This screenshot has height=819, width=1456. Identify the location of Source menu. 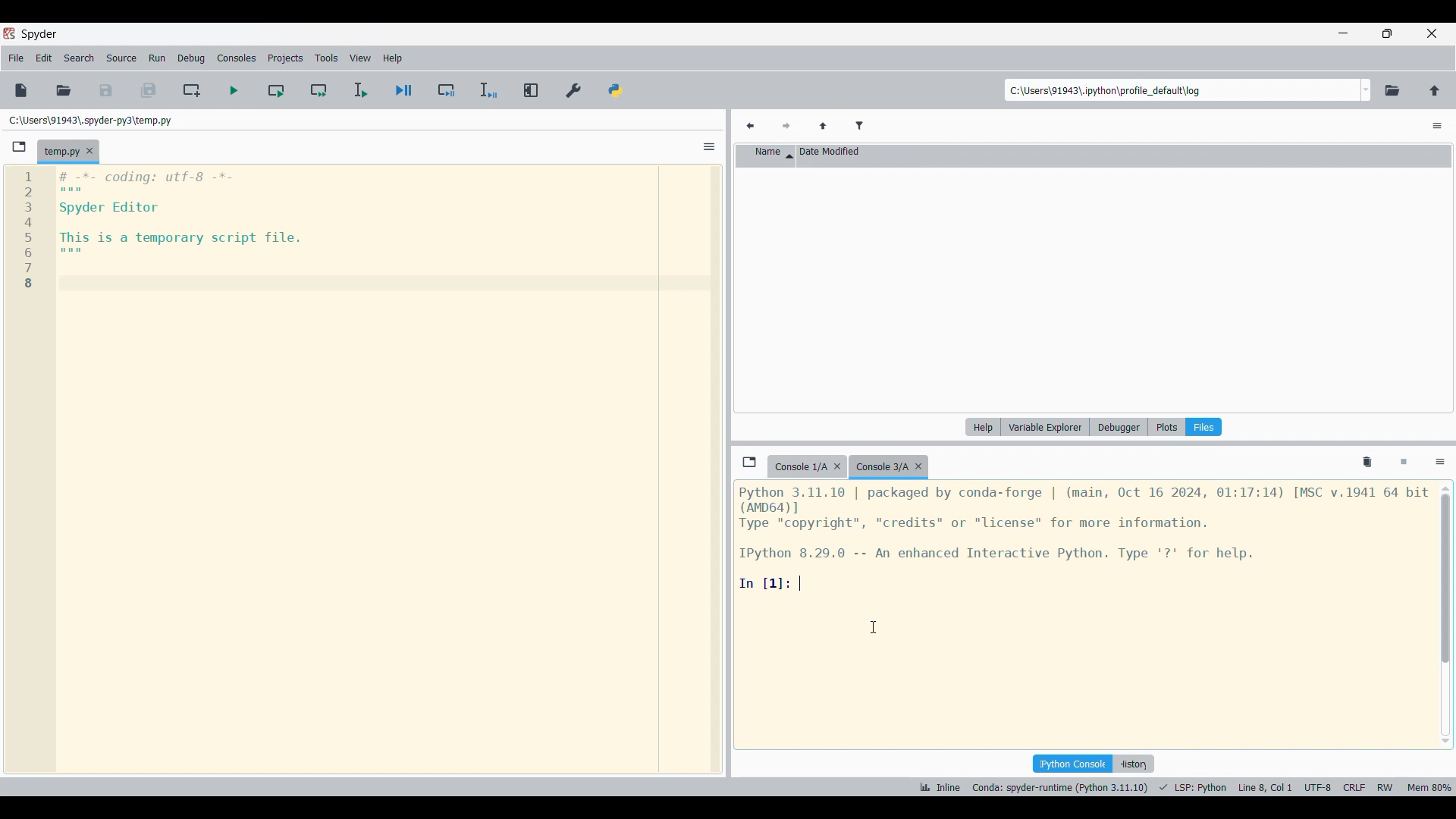
(122, 58).